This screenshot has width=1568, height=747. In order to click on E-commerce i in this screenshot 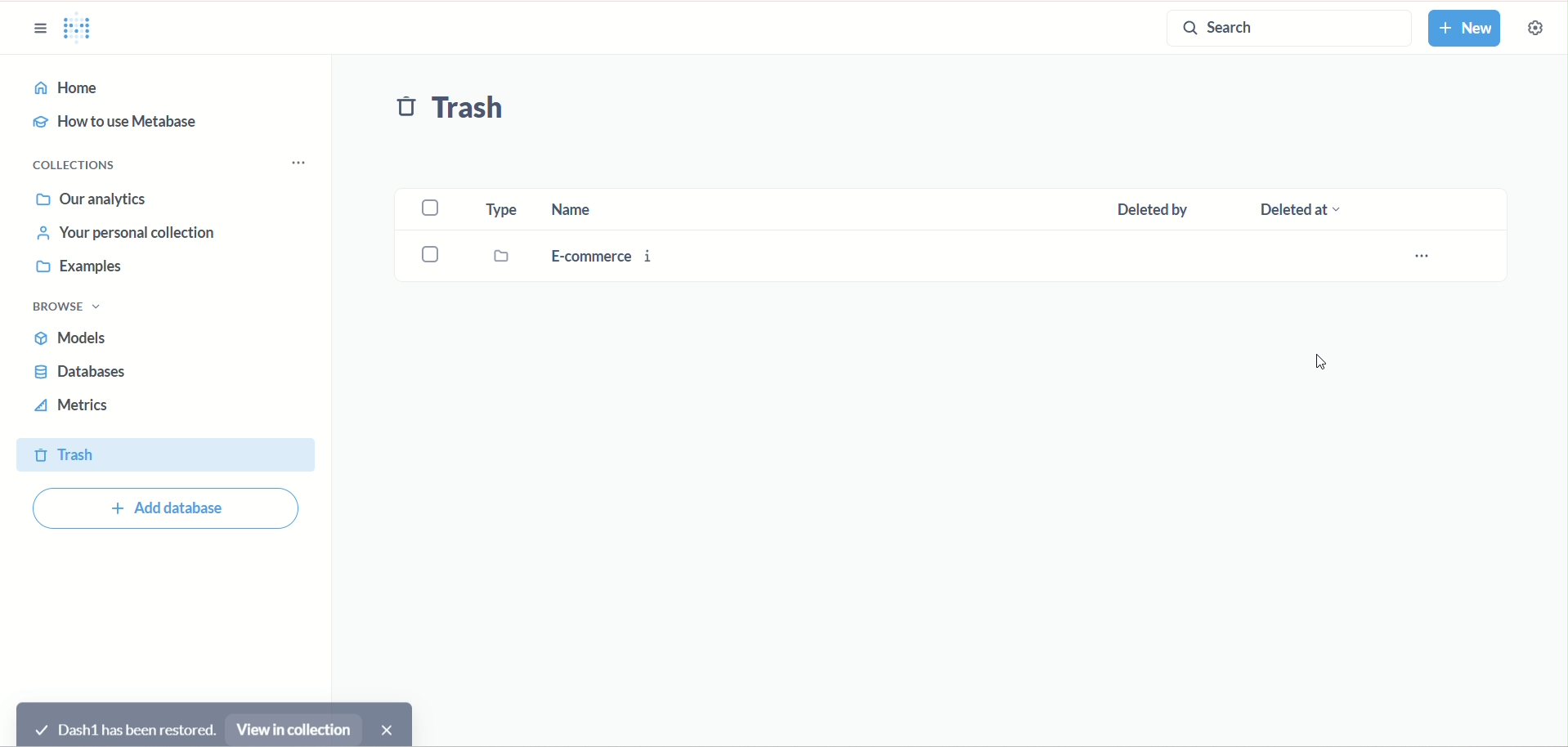, I will do `click(609, 253)`.